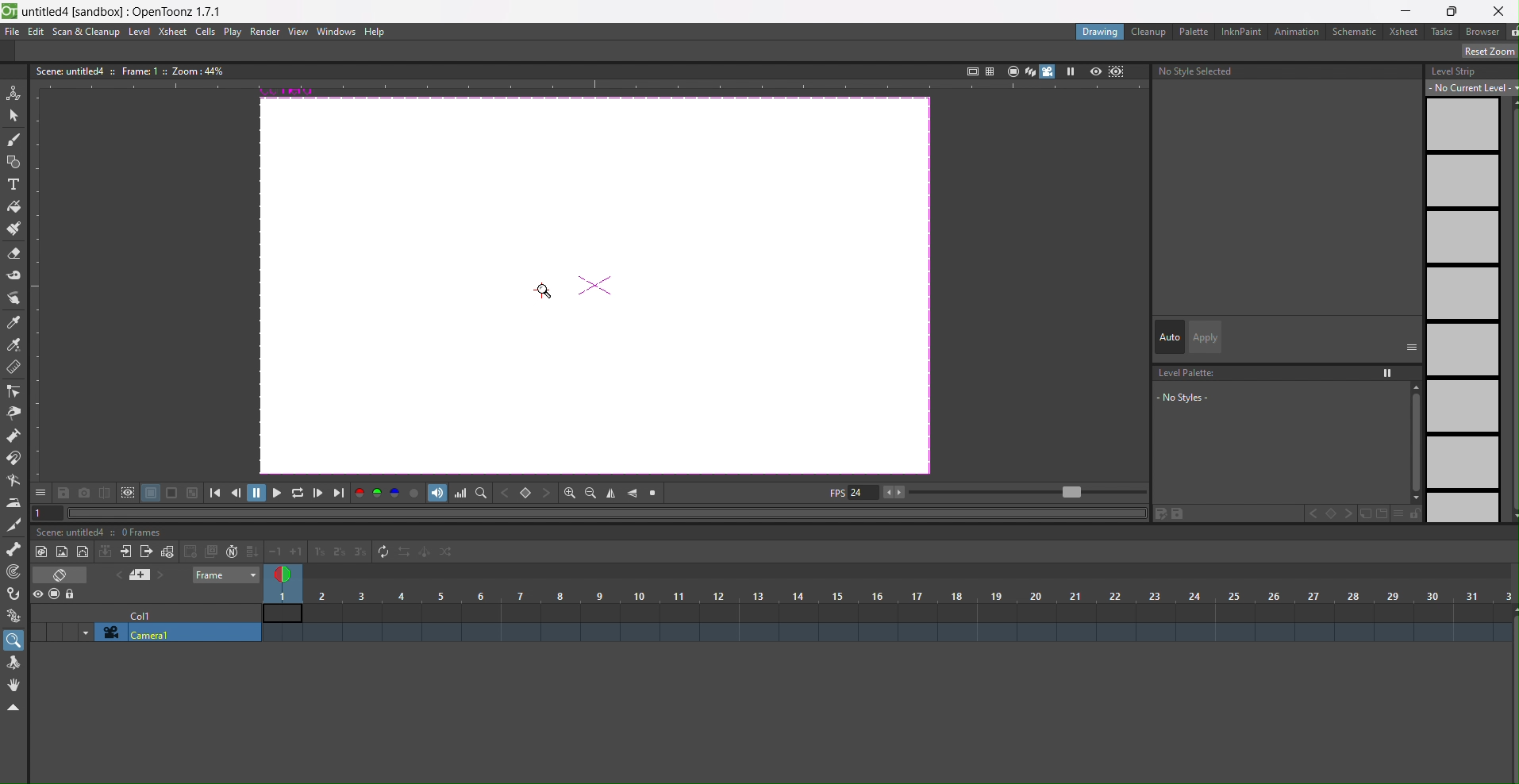  What do you see at coordinates (37, 31) in the screenshot?
I see `edit` at bounding box center [37, 31].